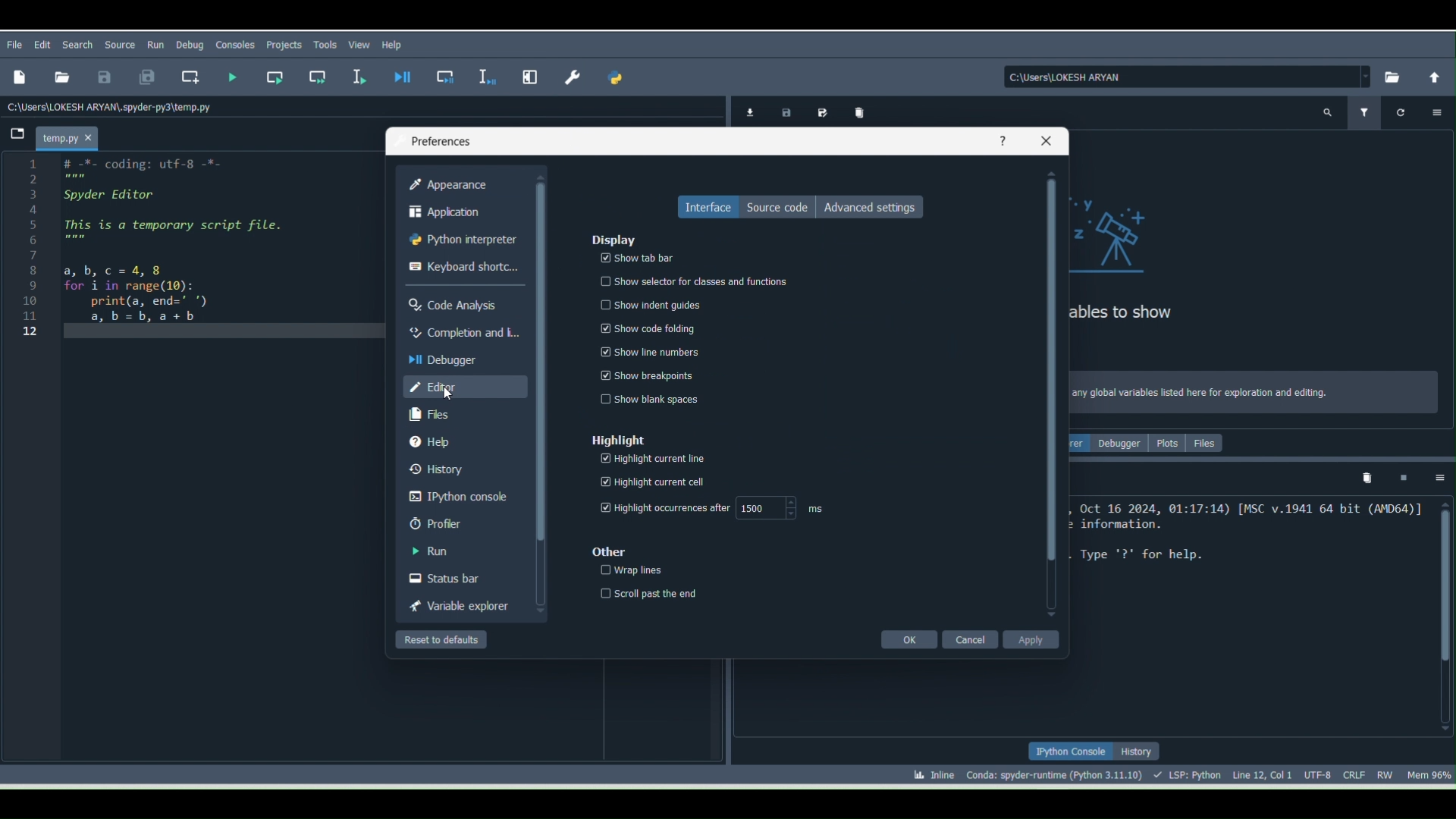 The height and width of the screenshot is (819, 1456). Describe the element at coordinates (1169, 445) in the screenshot. I see `Plots` at that location.